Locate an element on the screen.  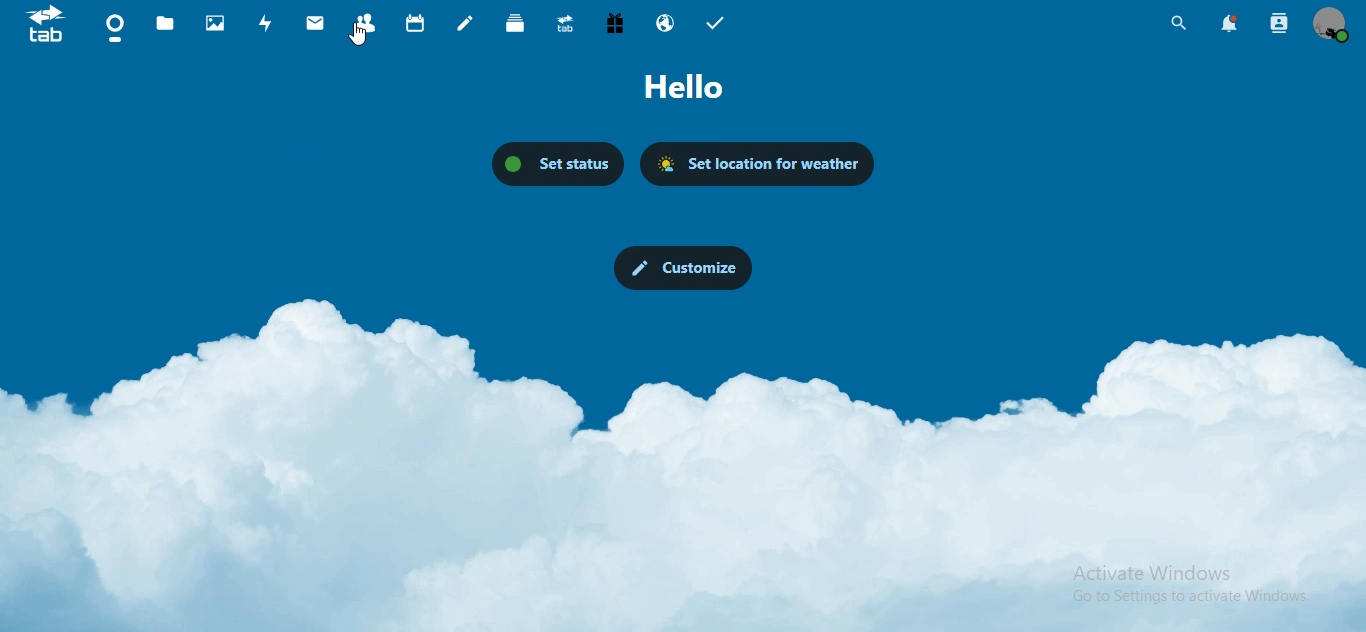
synology is located at coordinates (565, 22).